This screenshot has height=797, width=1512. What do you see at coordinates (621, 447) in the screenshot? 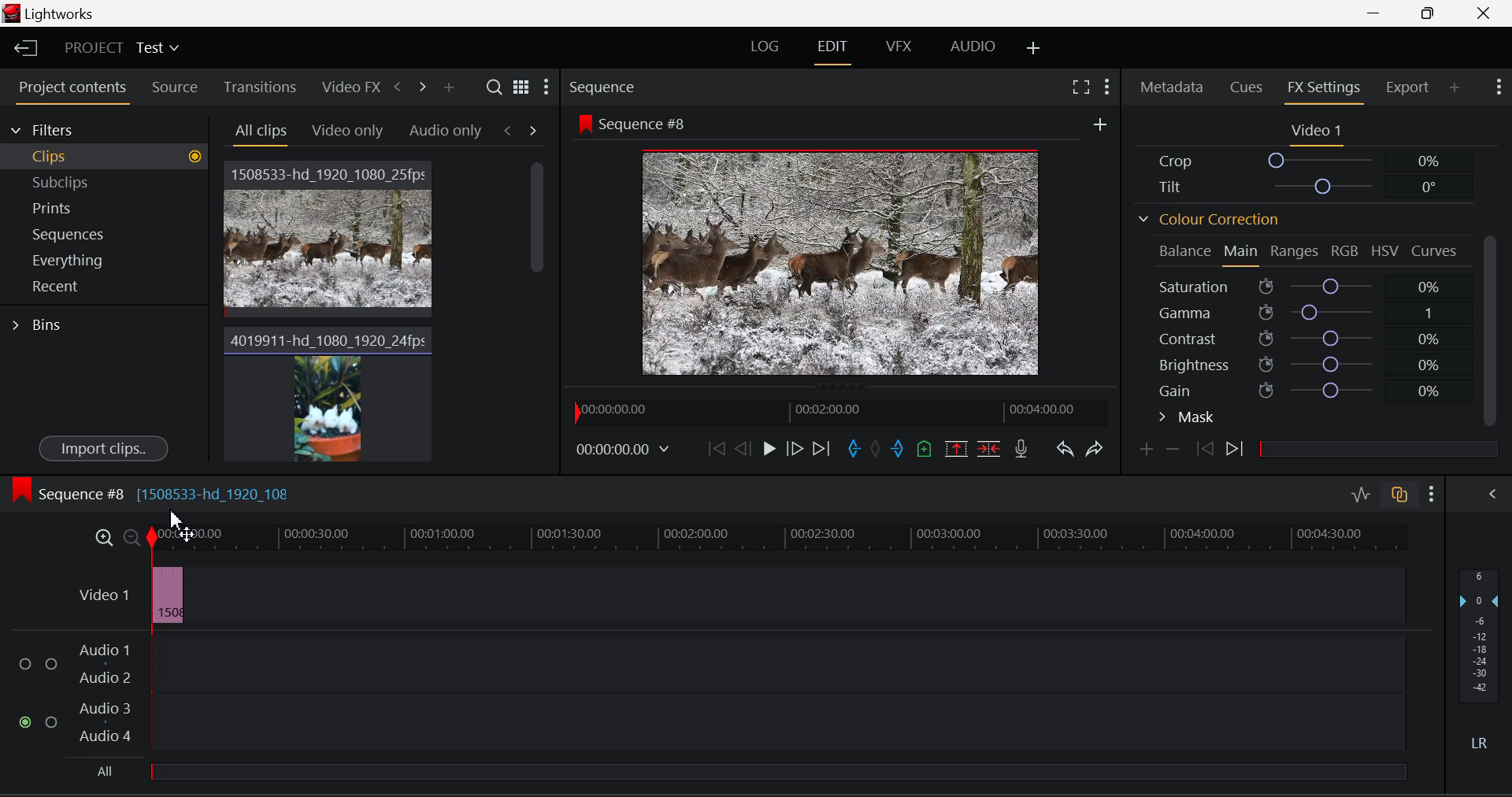
I see `Video Frame Time` at bounding box center [621, 447].